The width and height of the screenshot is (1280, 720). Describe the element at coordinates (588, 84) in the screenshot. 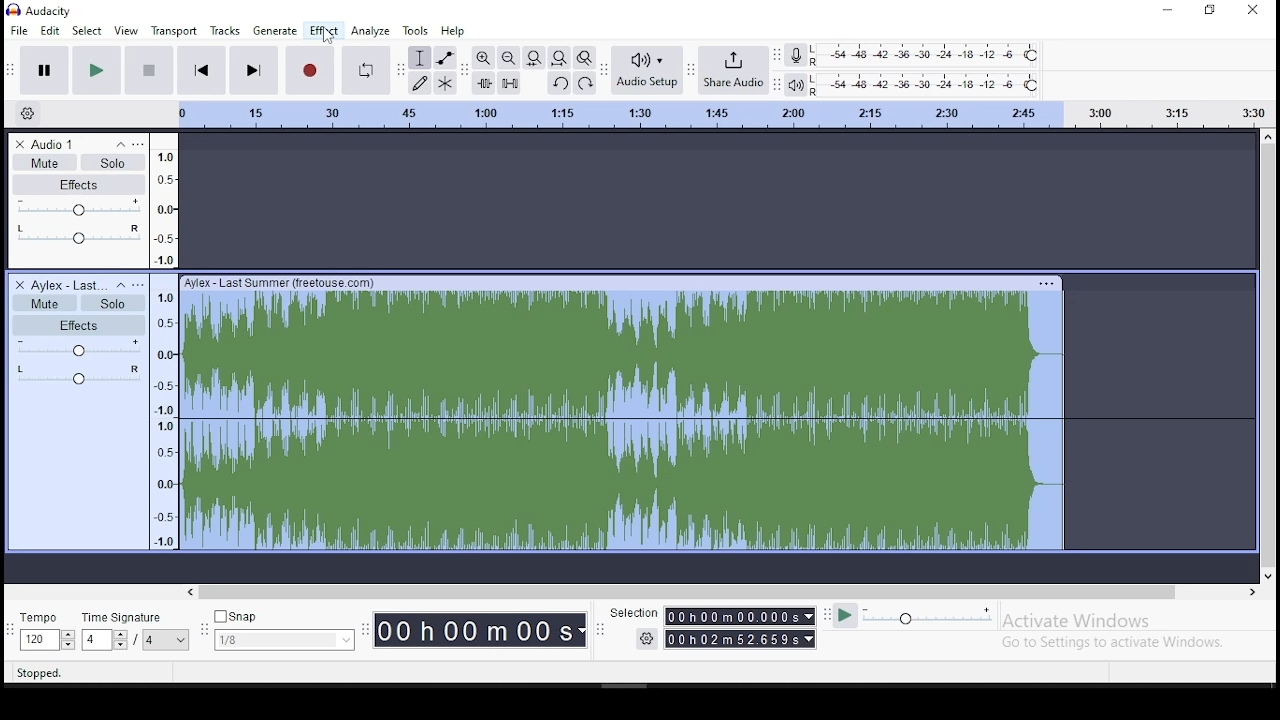

I see `redo` at that location.